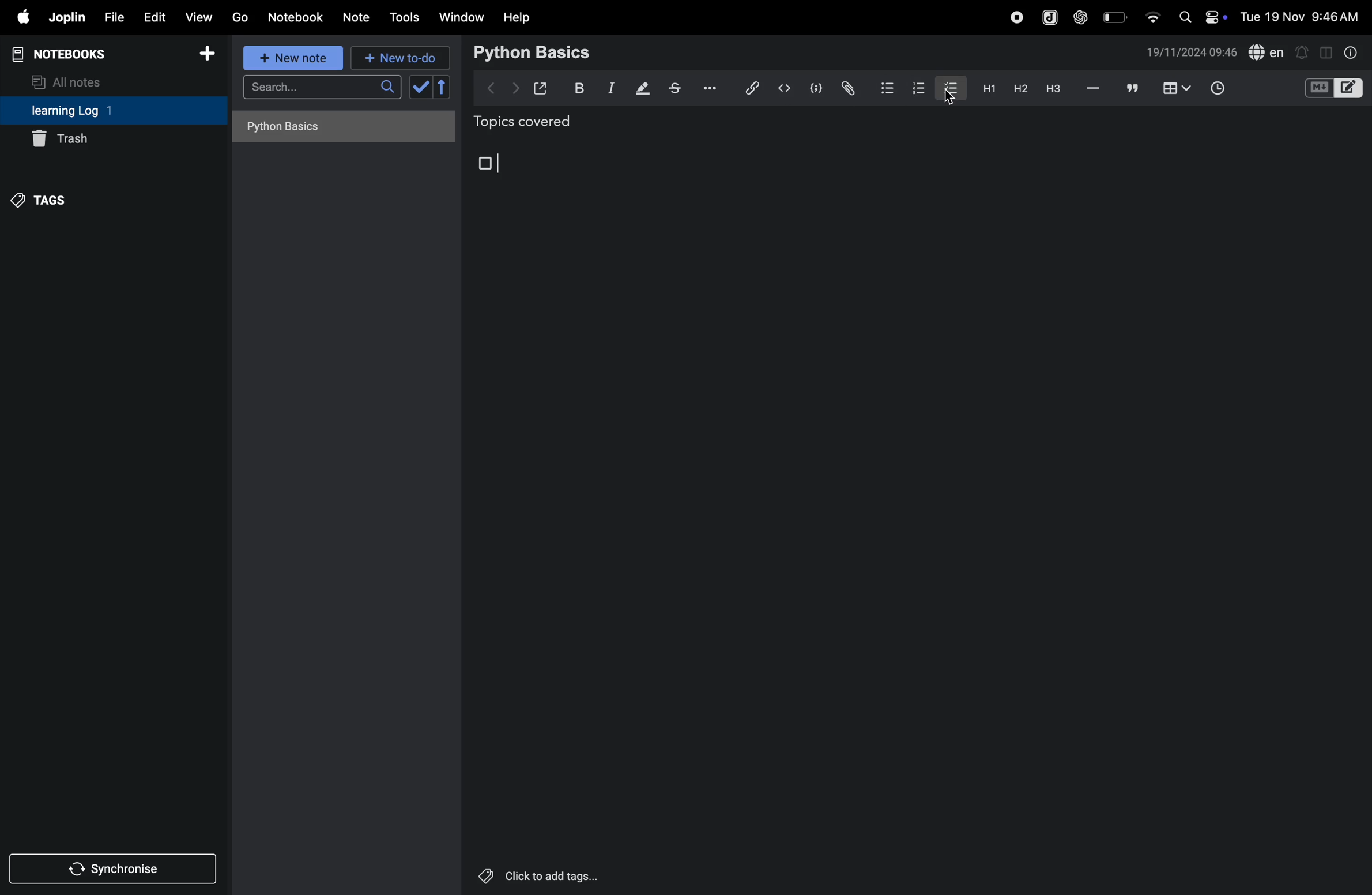 Image resolution: width=1372 pixels, height=895 pixels. What do you see at coordinates (1133, 89) in the screenshot?
I see `comment` at bounding box center [1133, 89].